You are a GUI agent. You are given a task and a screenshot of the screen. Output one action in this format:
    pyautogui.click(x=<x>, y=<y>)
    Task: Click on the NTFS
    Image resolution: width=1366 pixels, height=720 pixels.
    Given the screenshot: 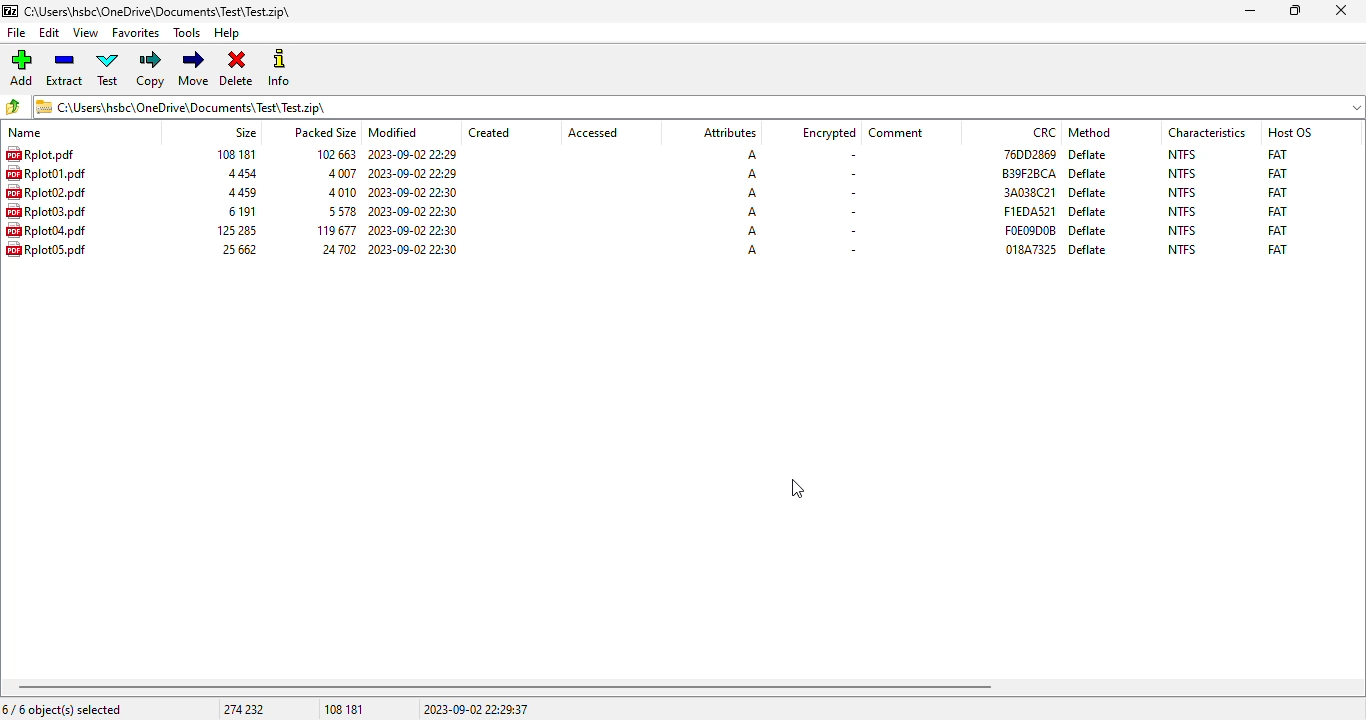 What is the action you would take?
    pyautogui.click(x=1182, y=174)
    